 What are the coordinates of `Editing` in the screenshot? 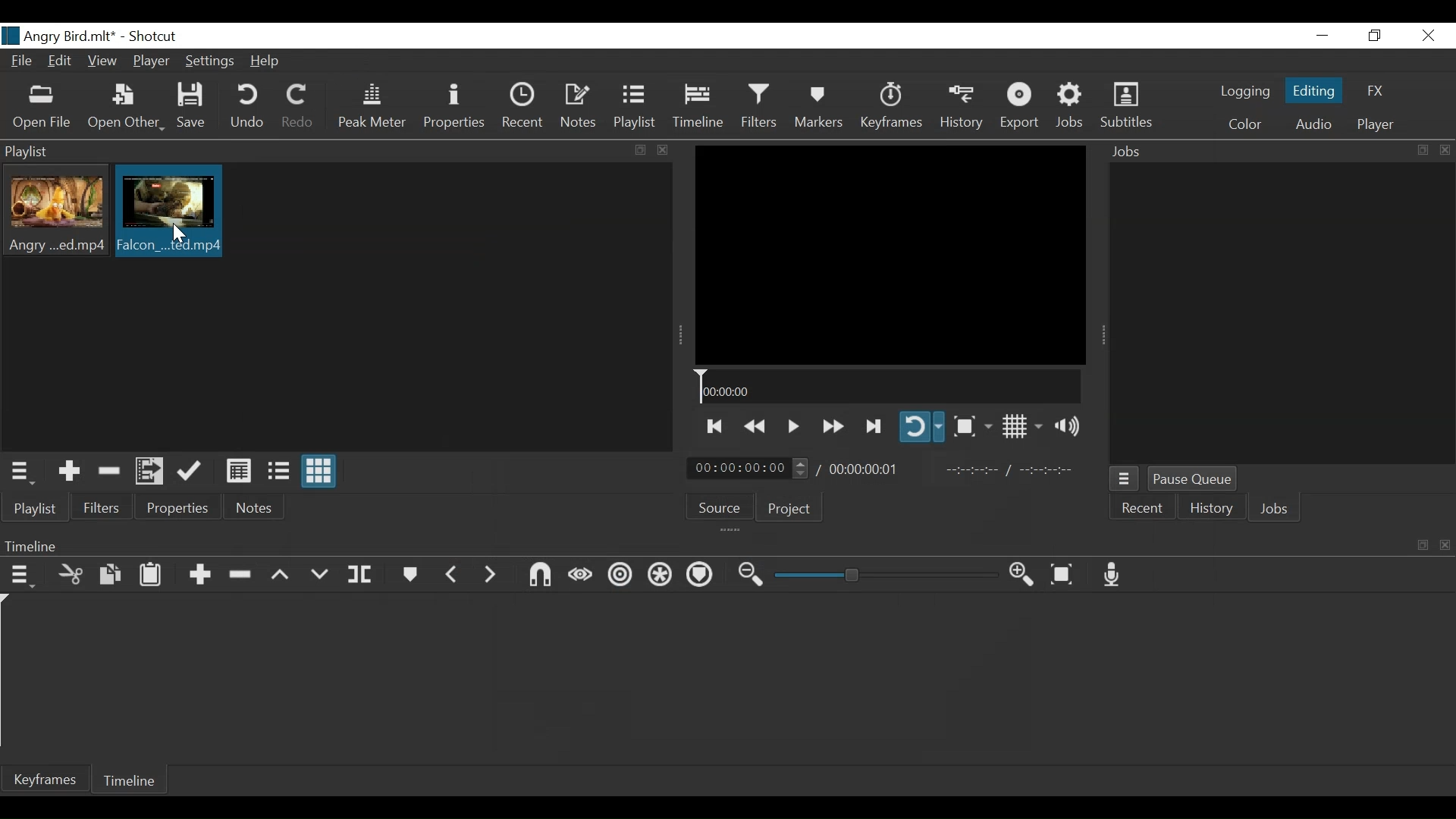 It's located at (1316, 89).